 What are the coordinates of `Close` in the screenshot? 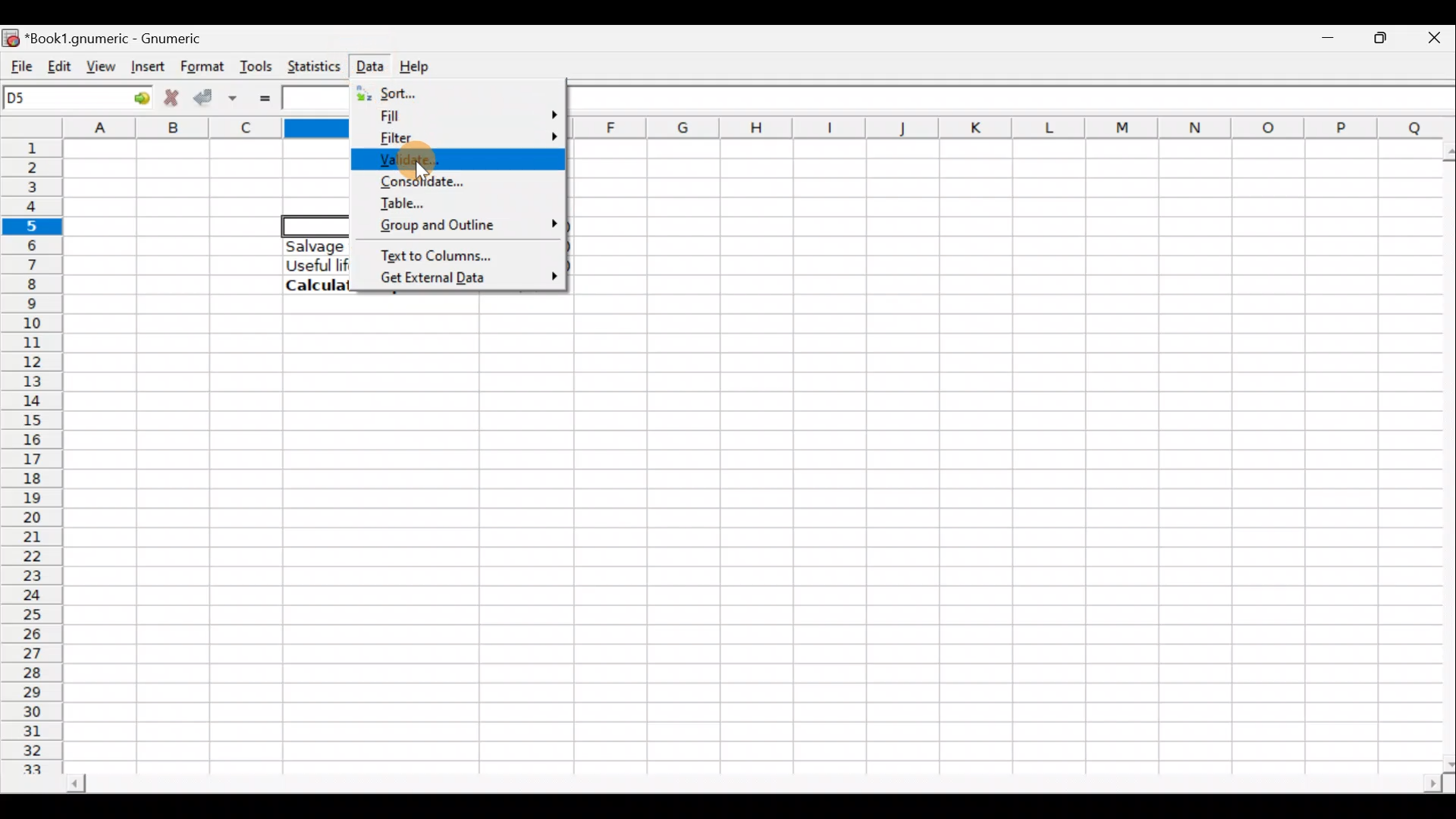 It's located at (1437, 36).